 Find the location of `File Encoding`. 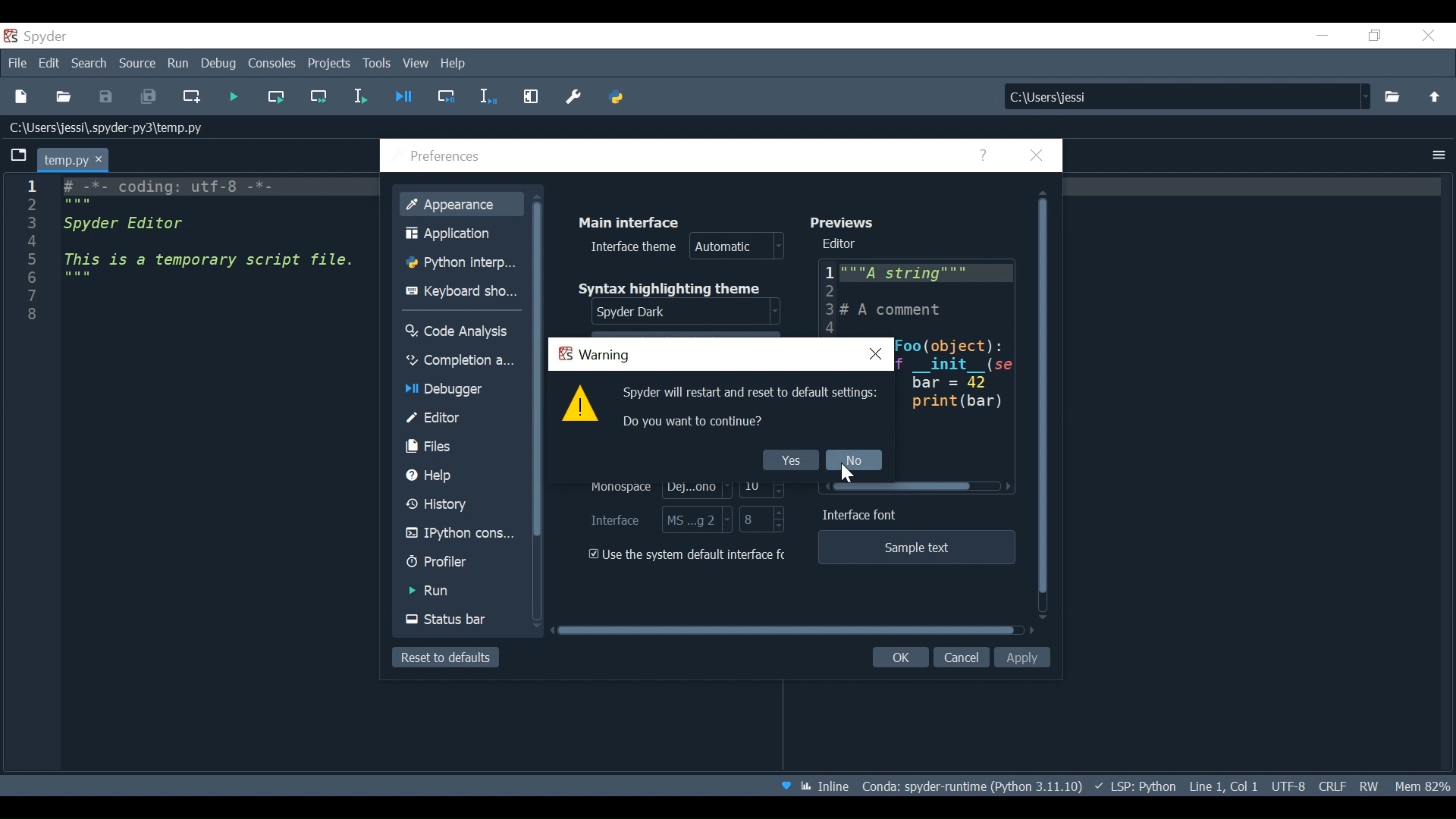

File Encoding is located at coordinates (1287, 786).